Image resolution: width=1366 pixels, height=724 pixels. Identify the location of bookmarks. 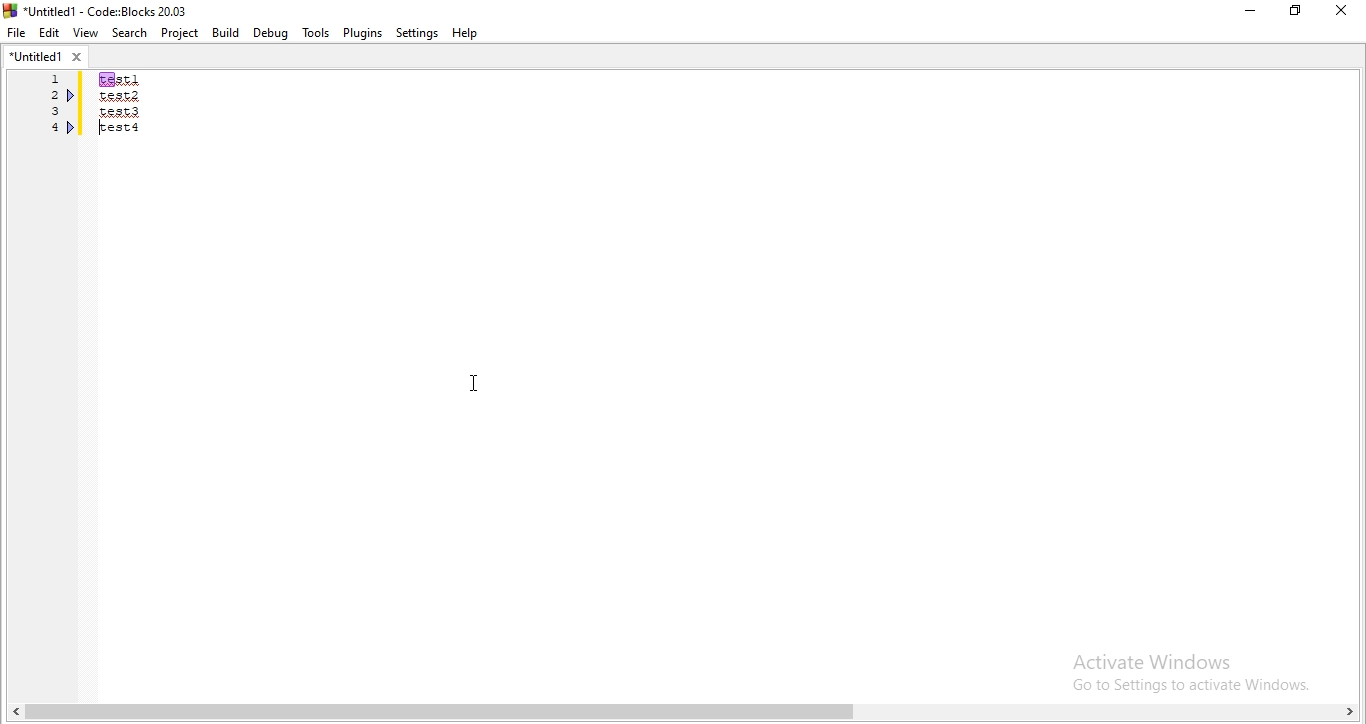
(71, 96).